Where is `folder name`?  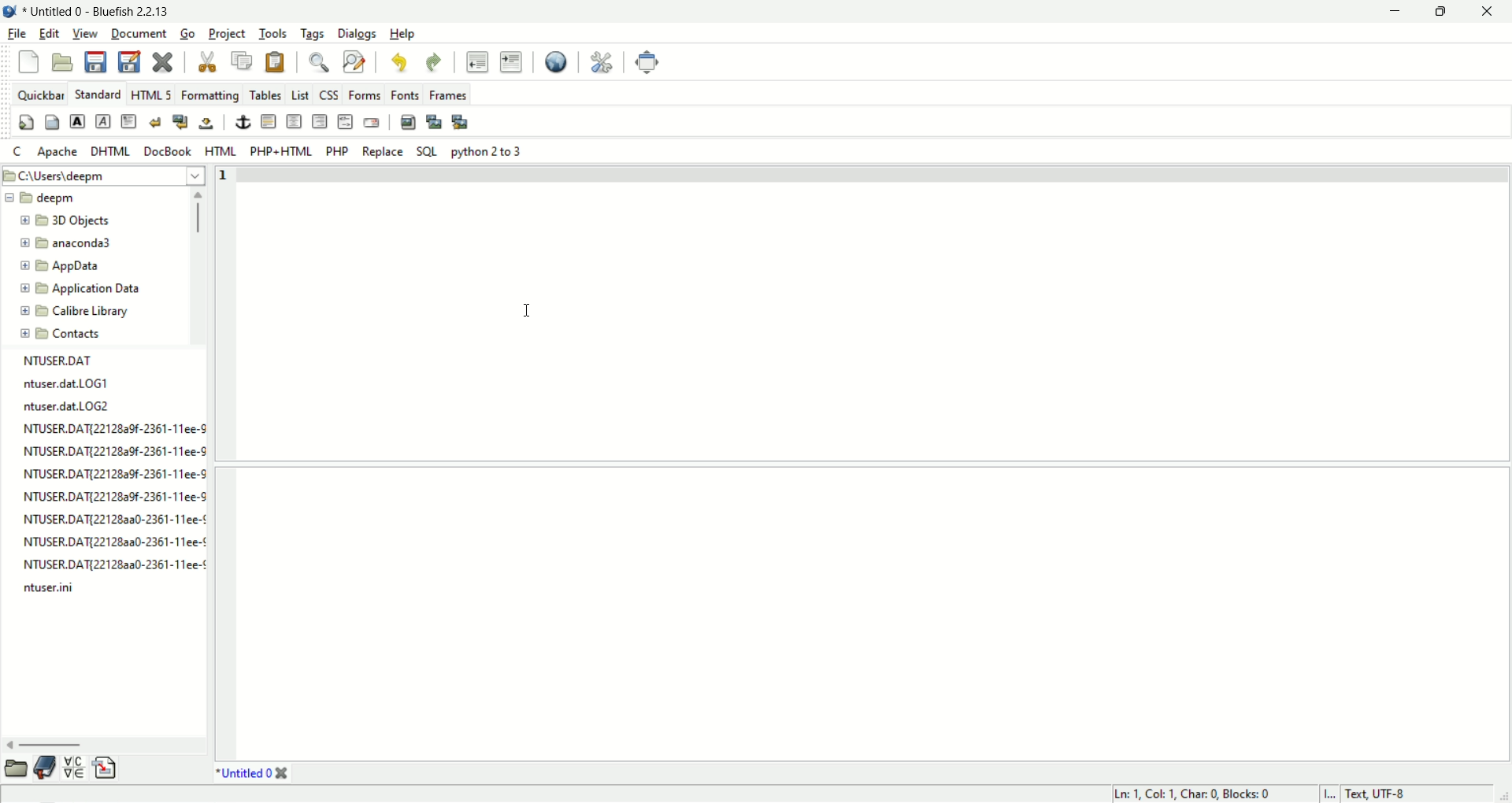 folder name is located at coordinates (63, 335).